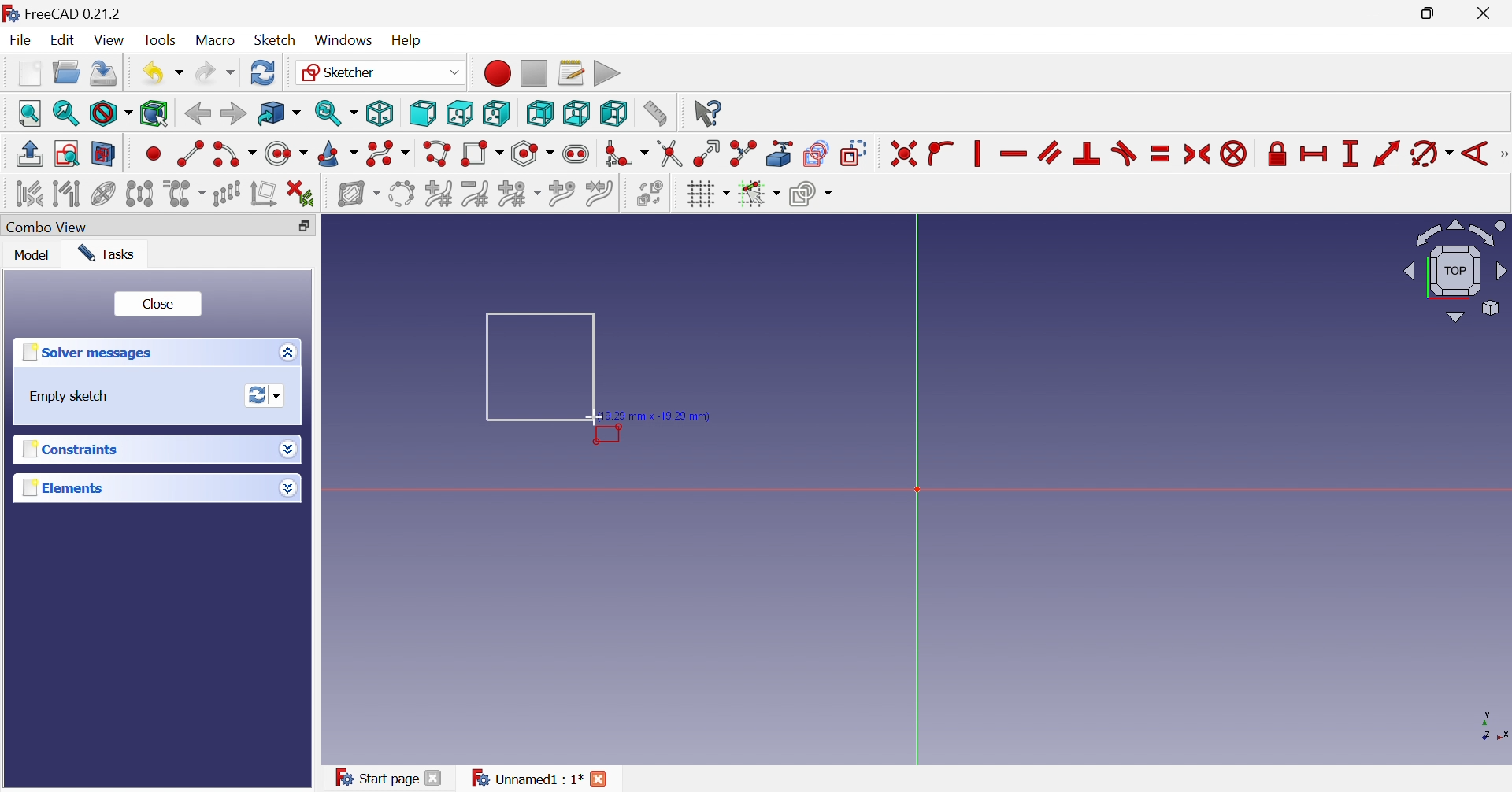 This screenshot has width=1512, height=792. Describe the element at coordinates (1013, 154) in the screenshot. I see `Constrain horizontally` at that location.